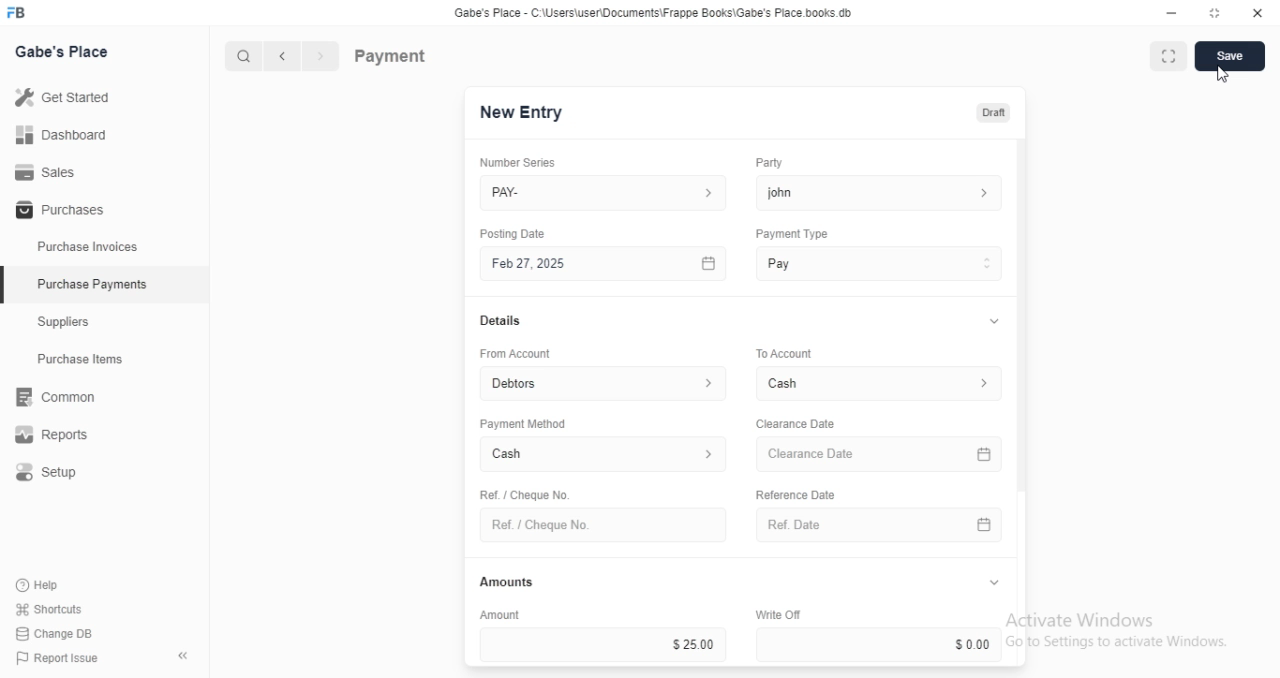 Image resolution: width=1280 pixels, height=678 pixels. I want to click on $25.00, so click(603, 644).